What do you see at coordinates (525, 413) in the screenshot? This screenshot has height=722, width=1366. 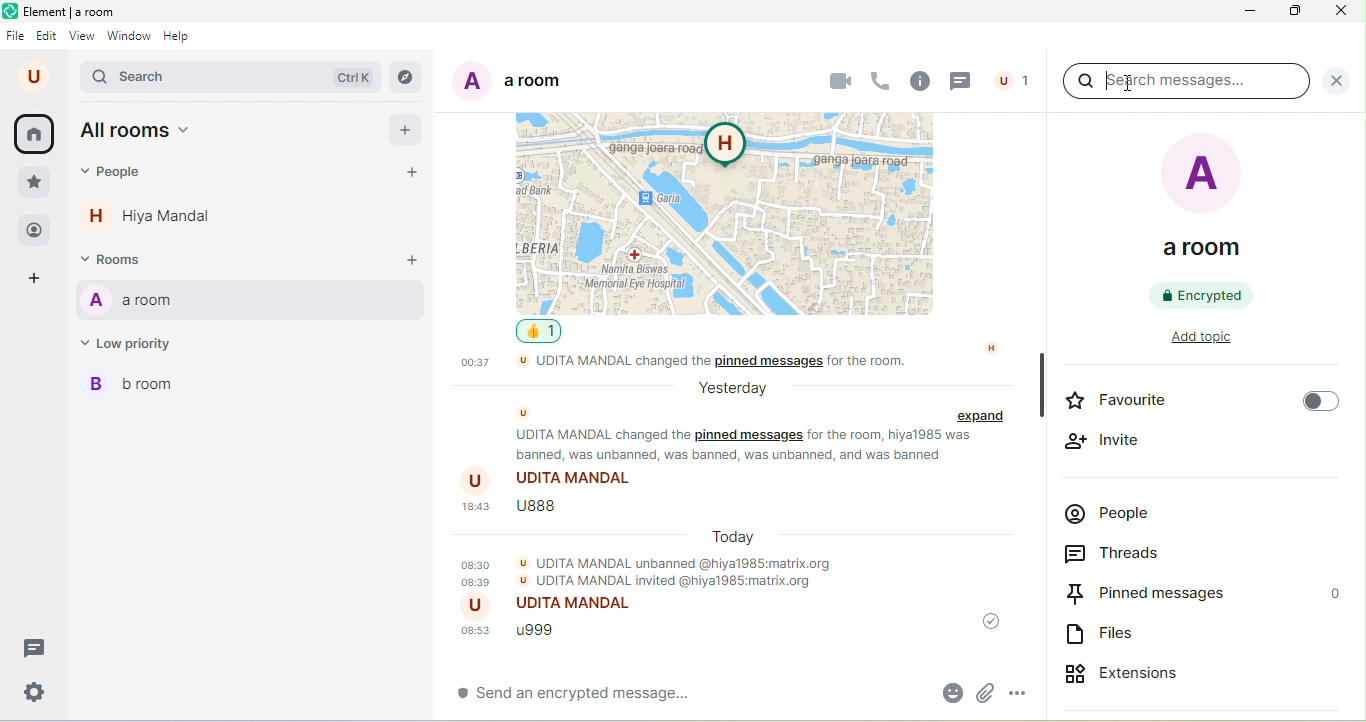 I see `u` at bounding box center [525, 413].